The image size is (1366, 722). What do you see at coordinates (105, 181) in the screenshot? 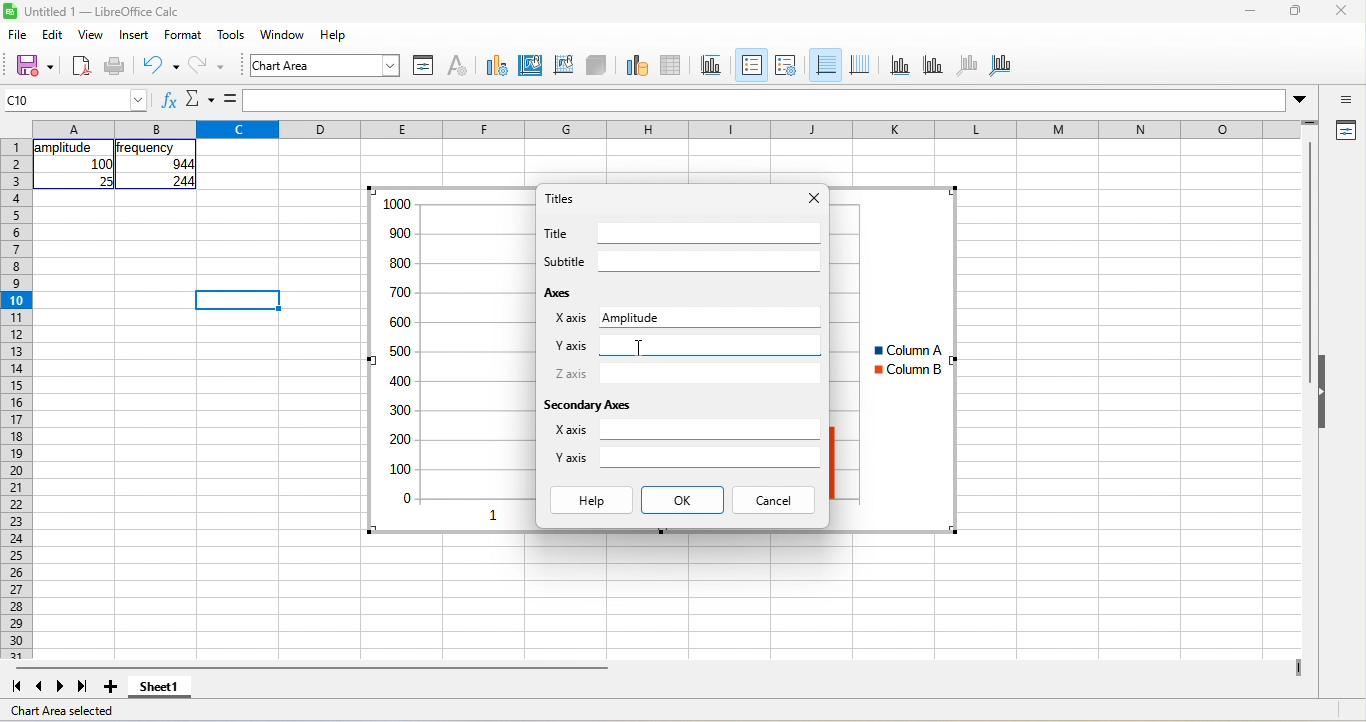
I see `25` at bounding box center [105, 181].